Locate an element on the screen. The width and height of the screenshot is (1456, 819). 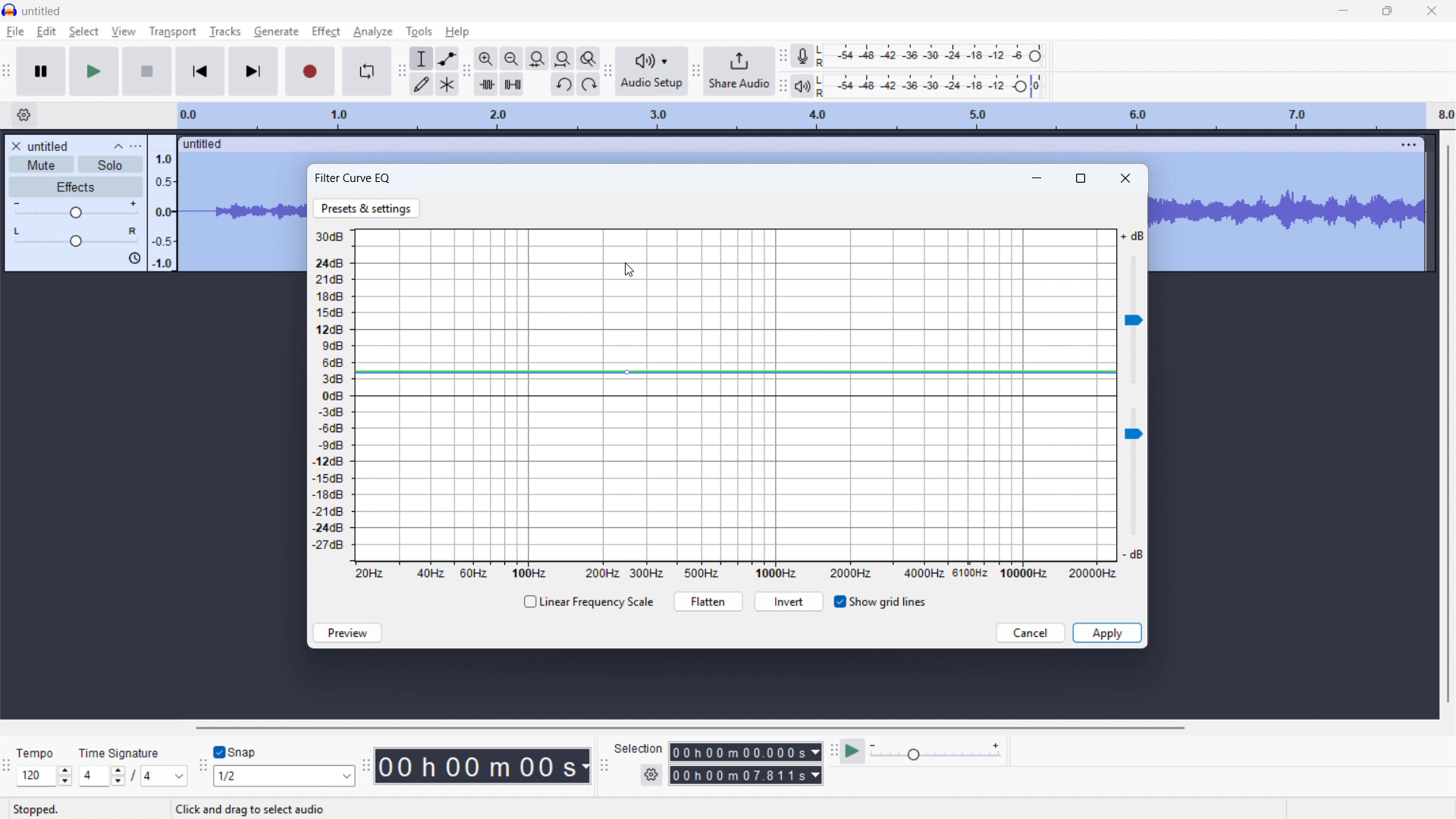
track options  is located at coordinates (1410, 143).